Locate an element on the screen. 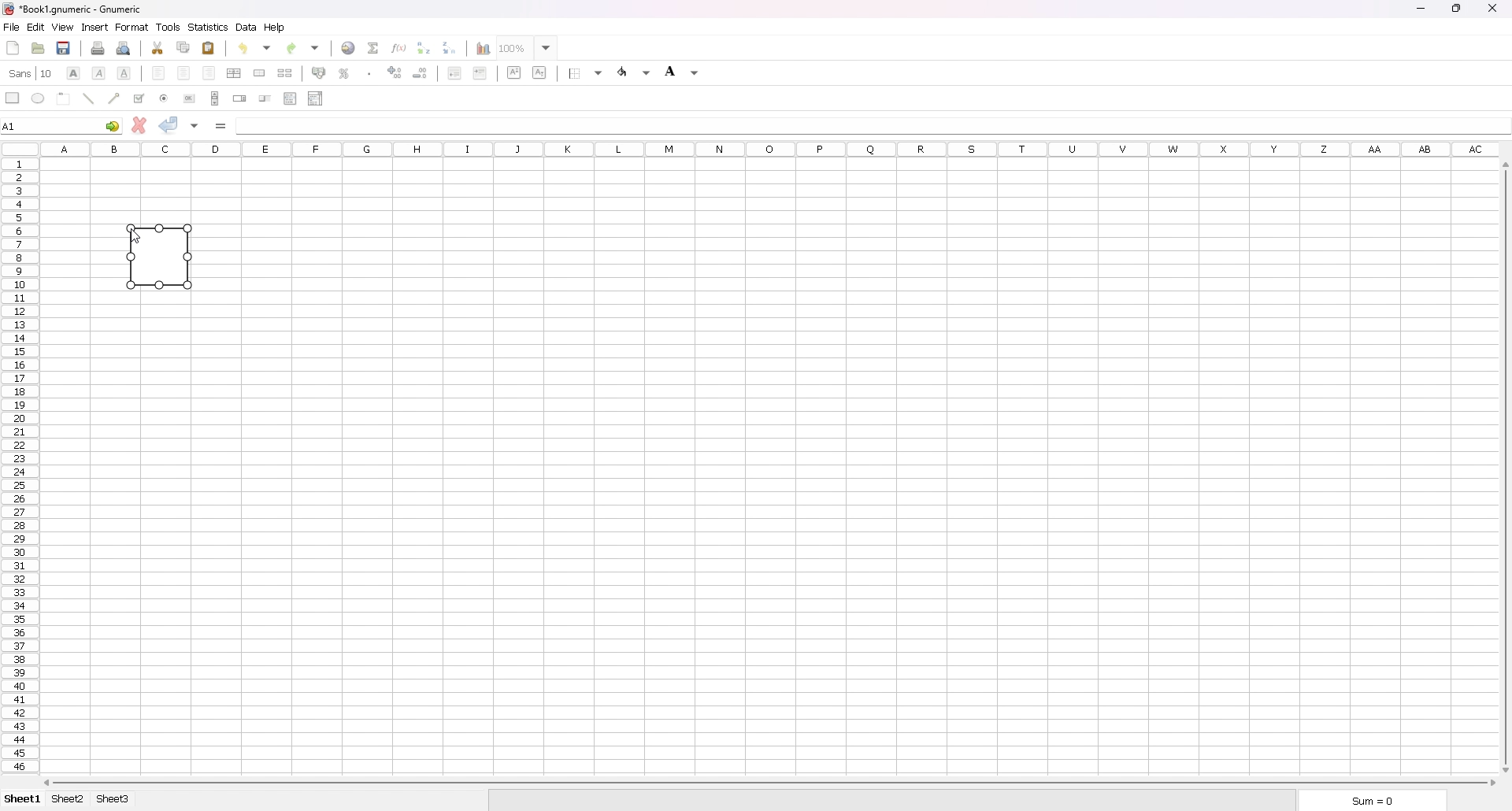 The width and height of the screenshot is (1512, 811). accept changes is located at coordinates (169, 125).